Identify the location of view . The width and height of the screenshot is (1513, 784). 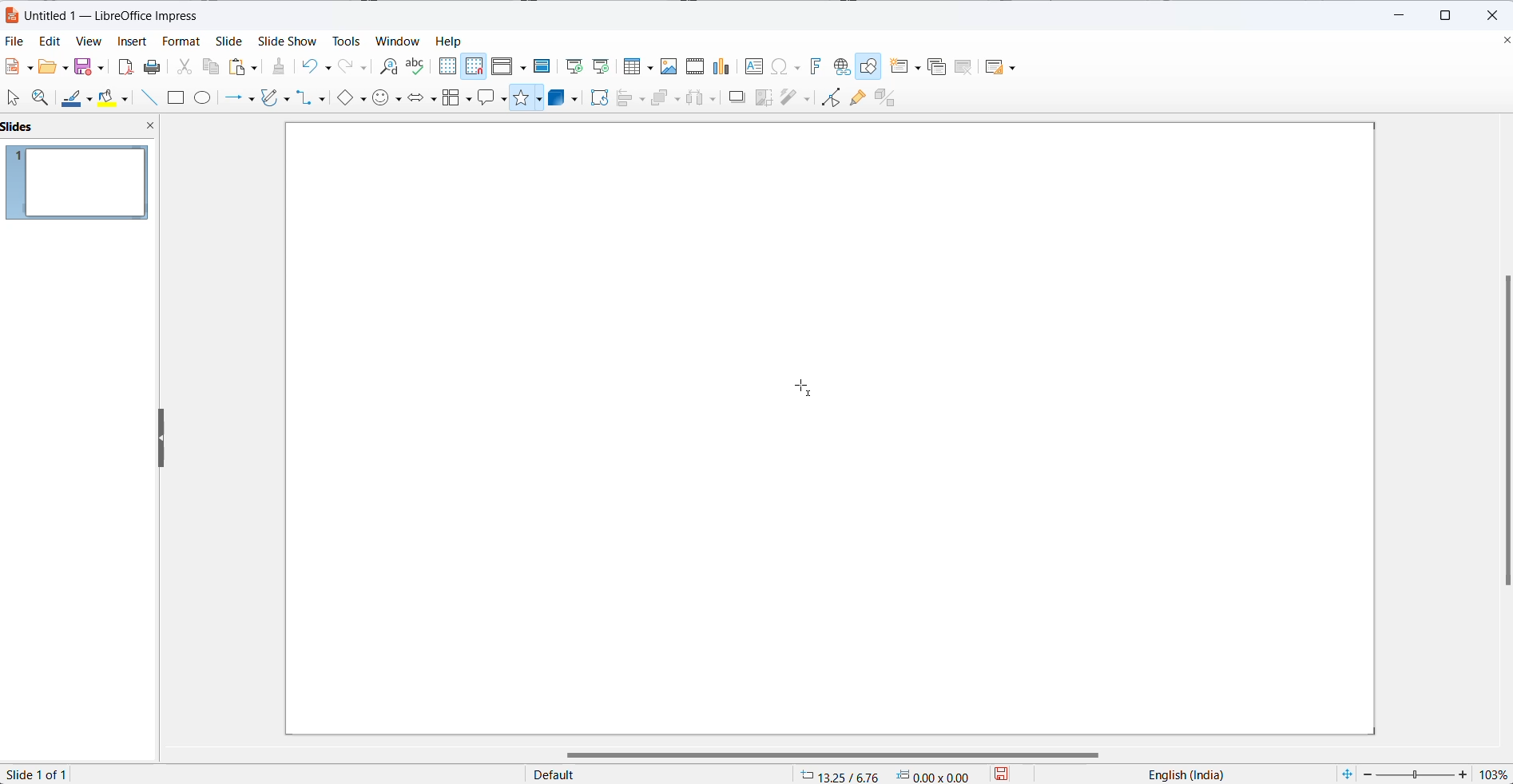
(84, 42).